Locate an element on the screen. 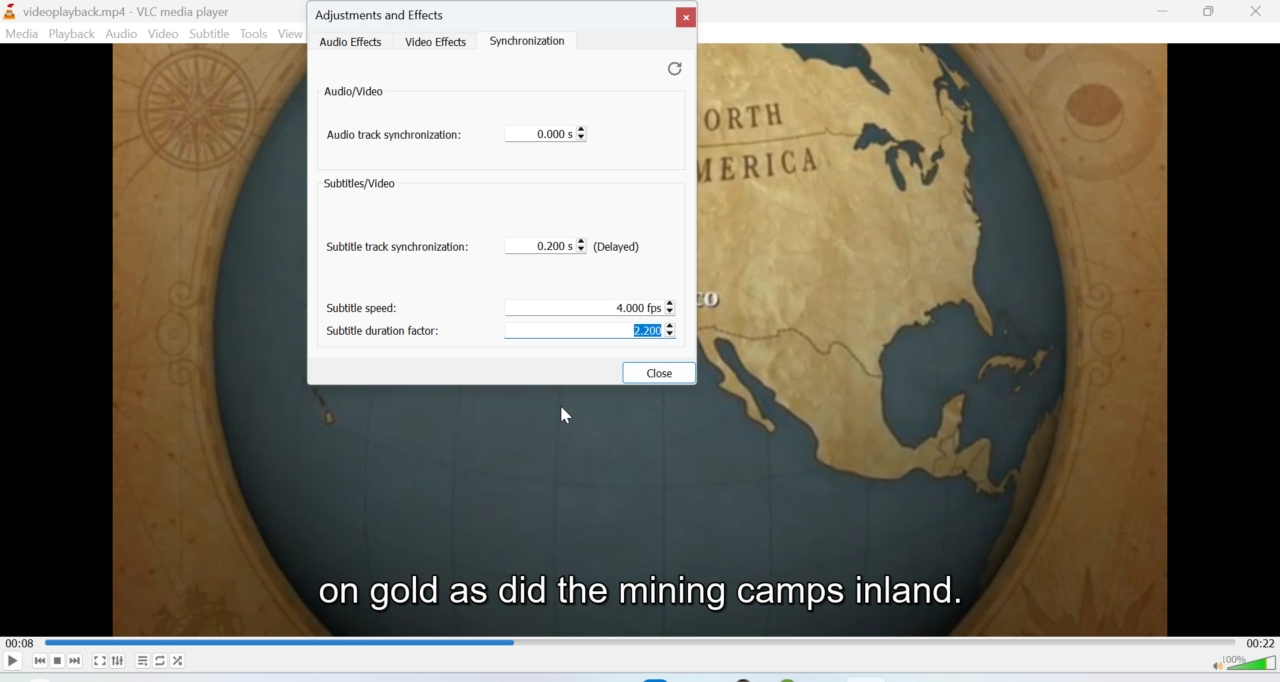 Image resolution: width=1280 pixels, height=682 pixels. Fullscreen is located at coordinates (99, 661).